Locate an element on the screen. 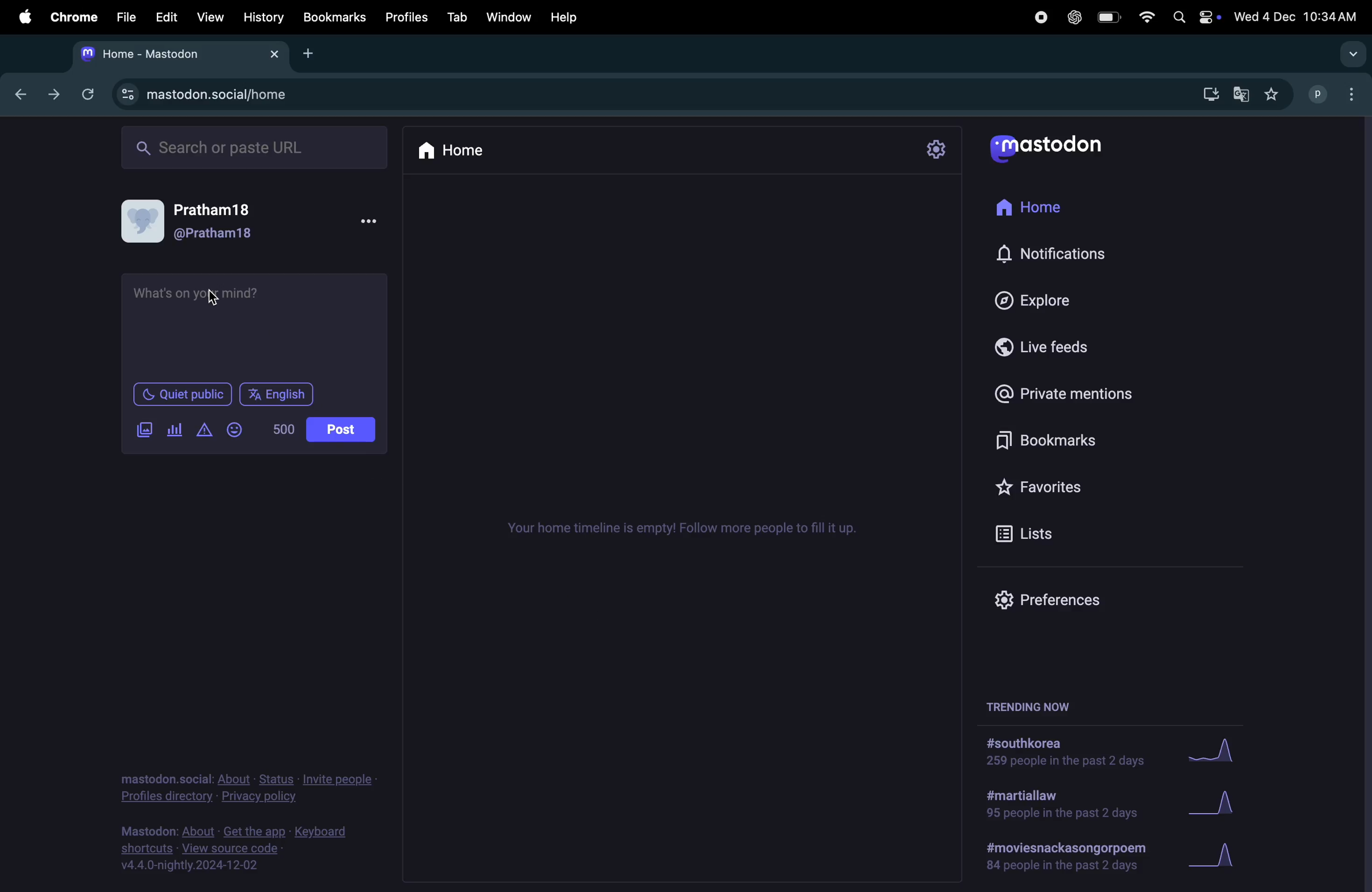 The width and height of the screenshot is (1372, 892). Graph is located at coordinates (1222, 804).